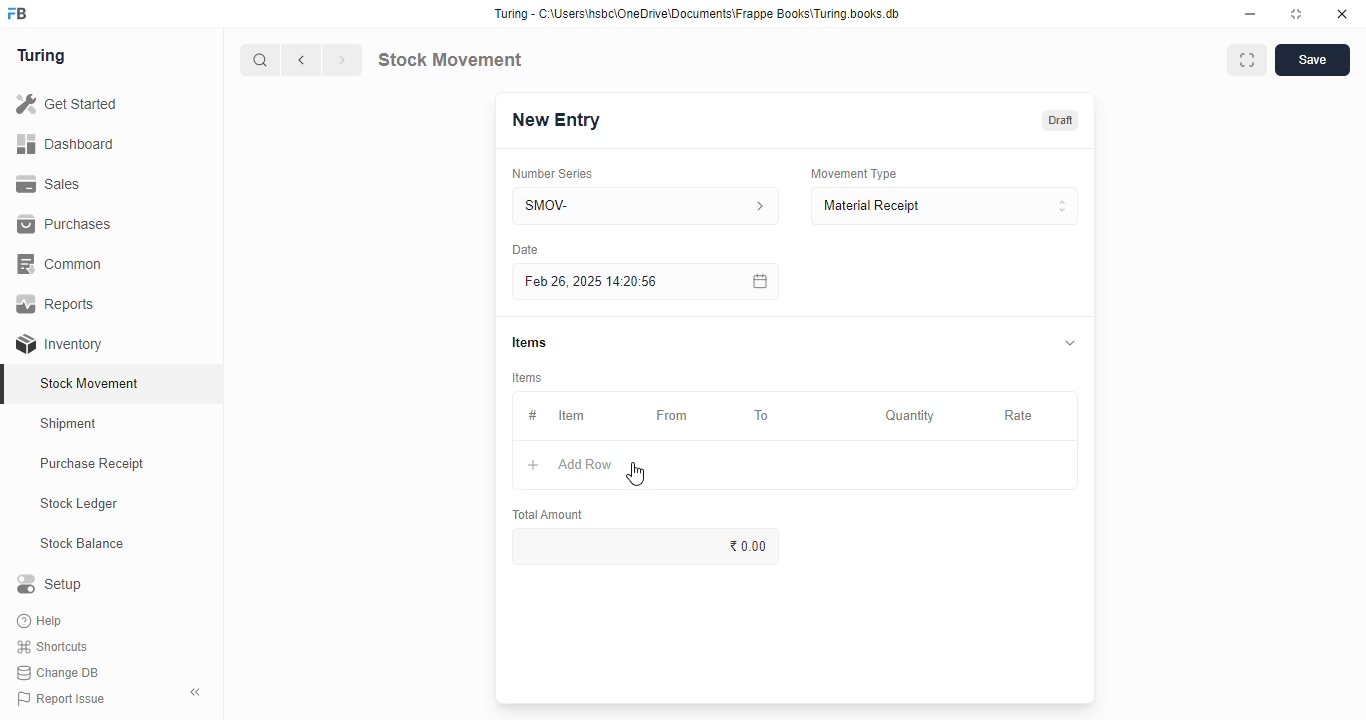 The width and height of the screenshot is (1366, 720). What do you see at coordinates (944, 206) in the screenshot?
I see `material receipt` at bounding box center [944, 206].